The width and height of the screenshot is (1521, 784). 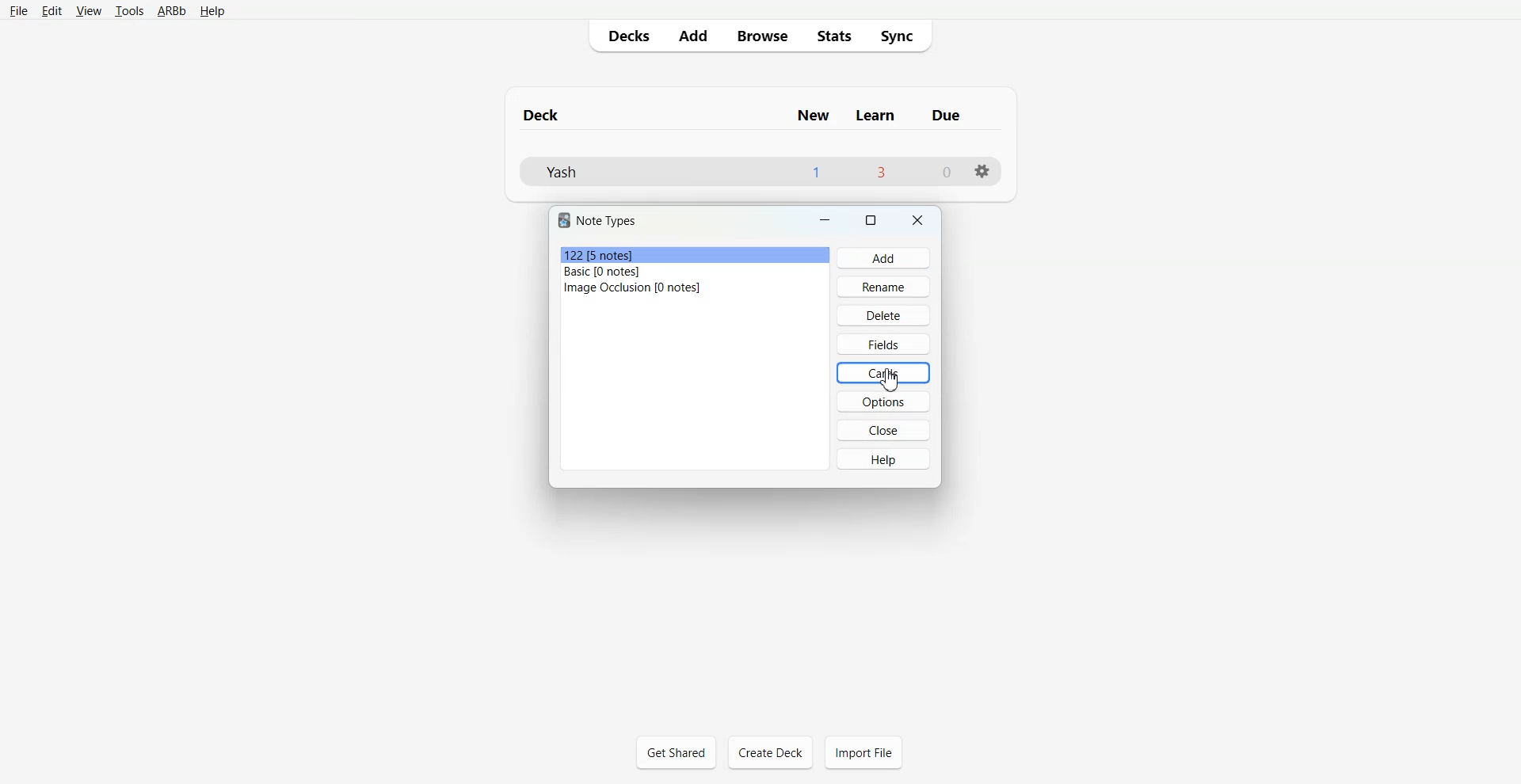 I want to click on Tools, so click(x=129, y=11).